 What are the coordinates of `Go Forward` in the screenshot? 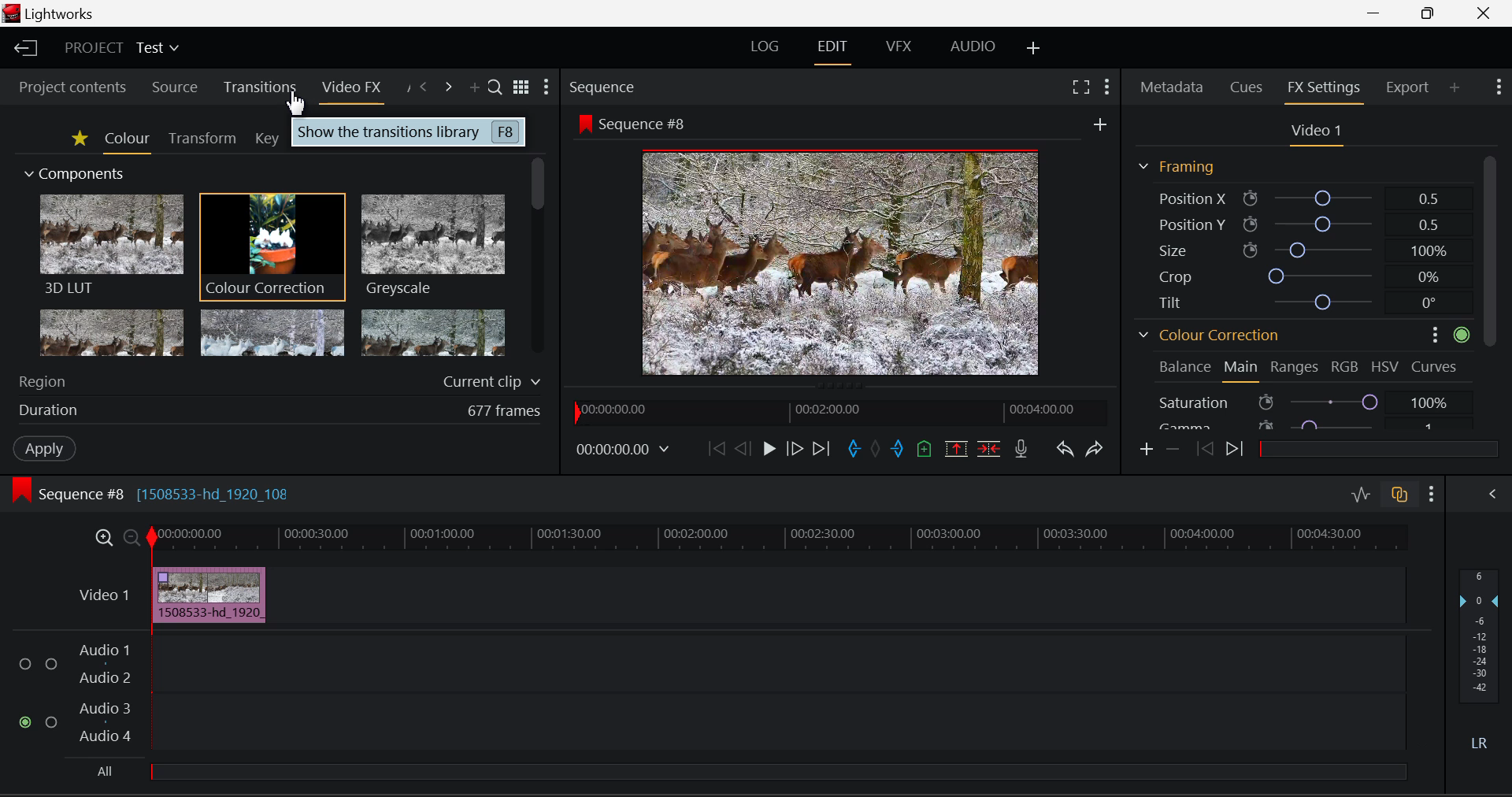 It's located at (794, 451).